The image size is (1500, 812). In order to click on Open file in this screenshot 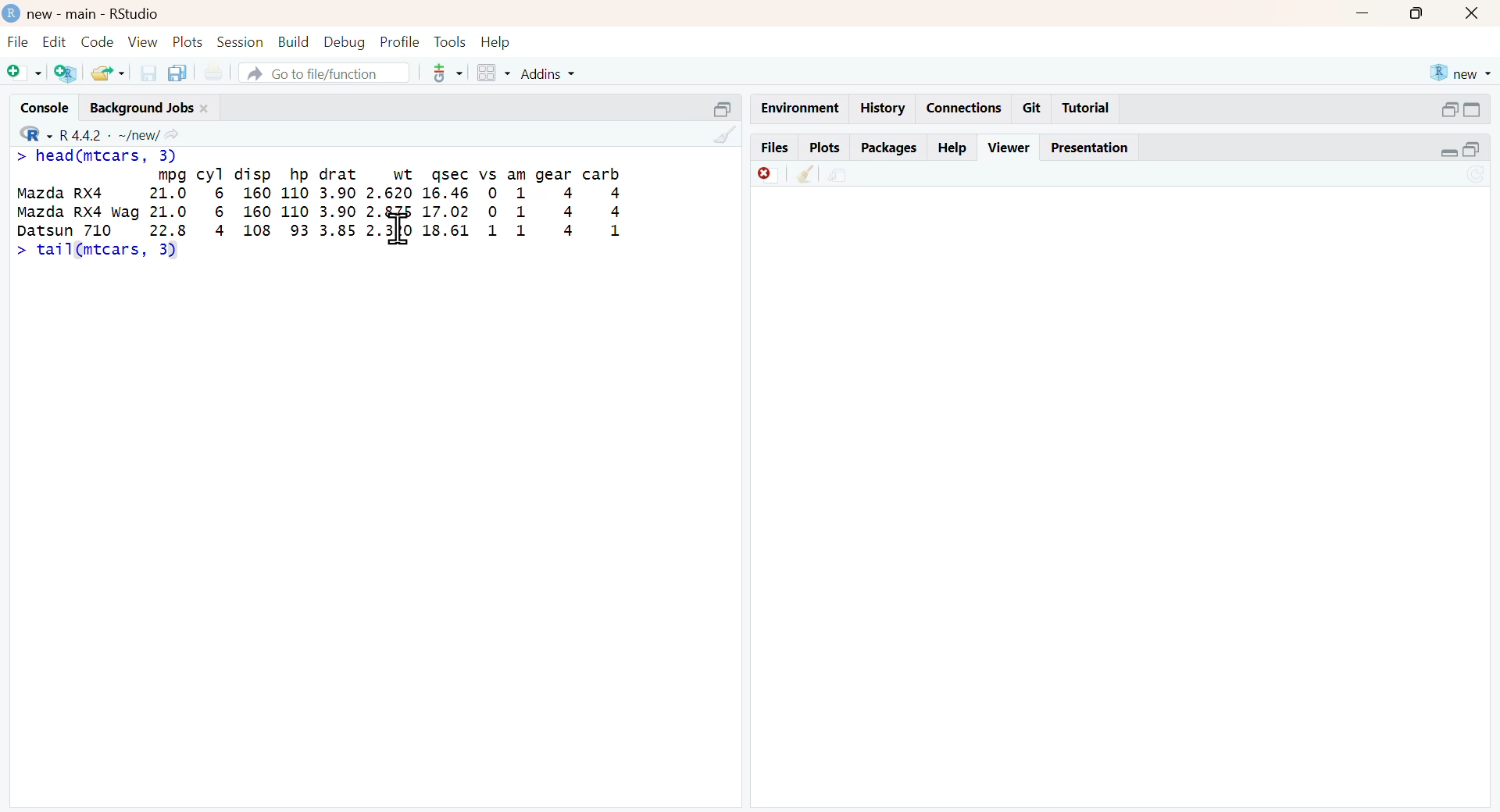, I will do `click(109, 72)`.